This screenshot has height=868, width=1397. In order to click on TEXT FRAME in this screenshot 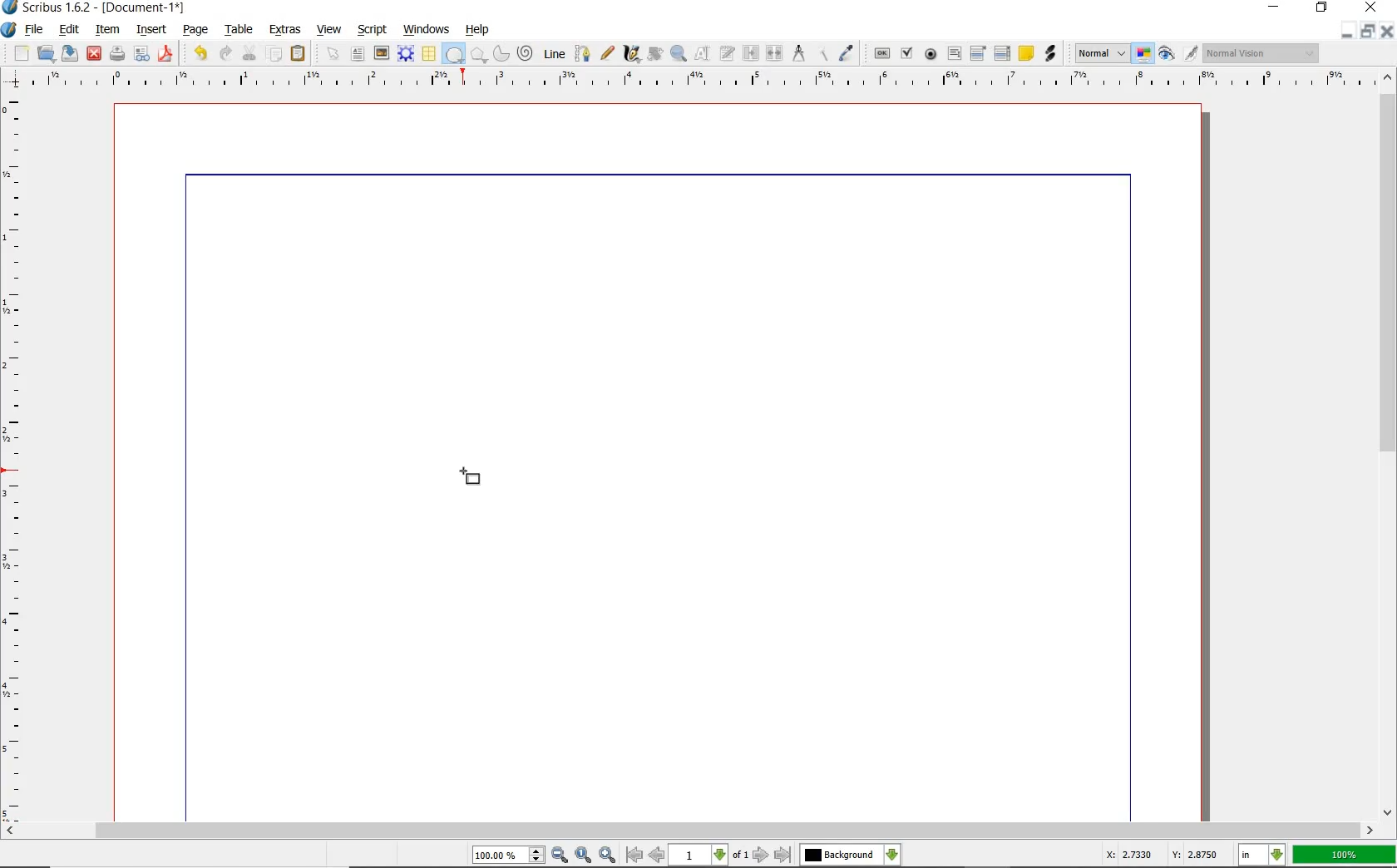, I will do `click(358, 53)`.